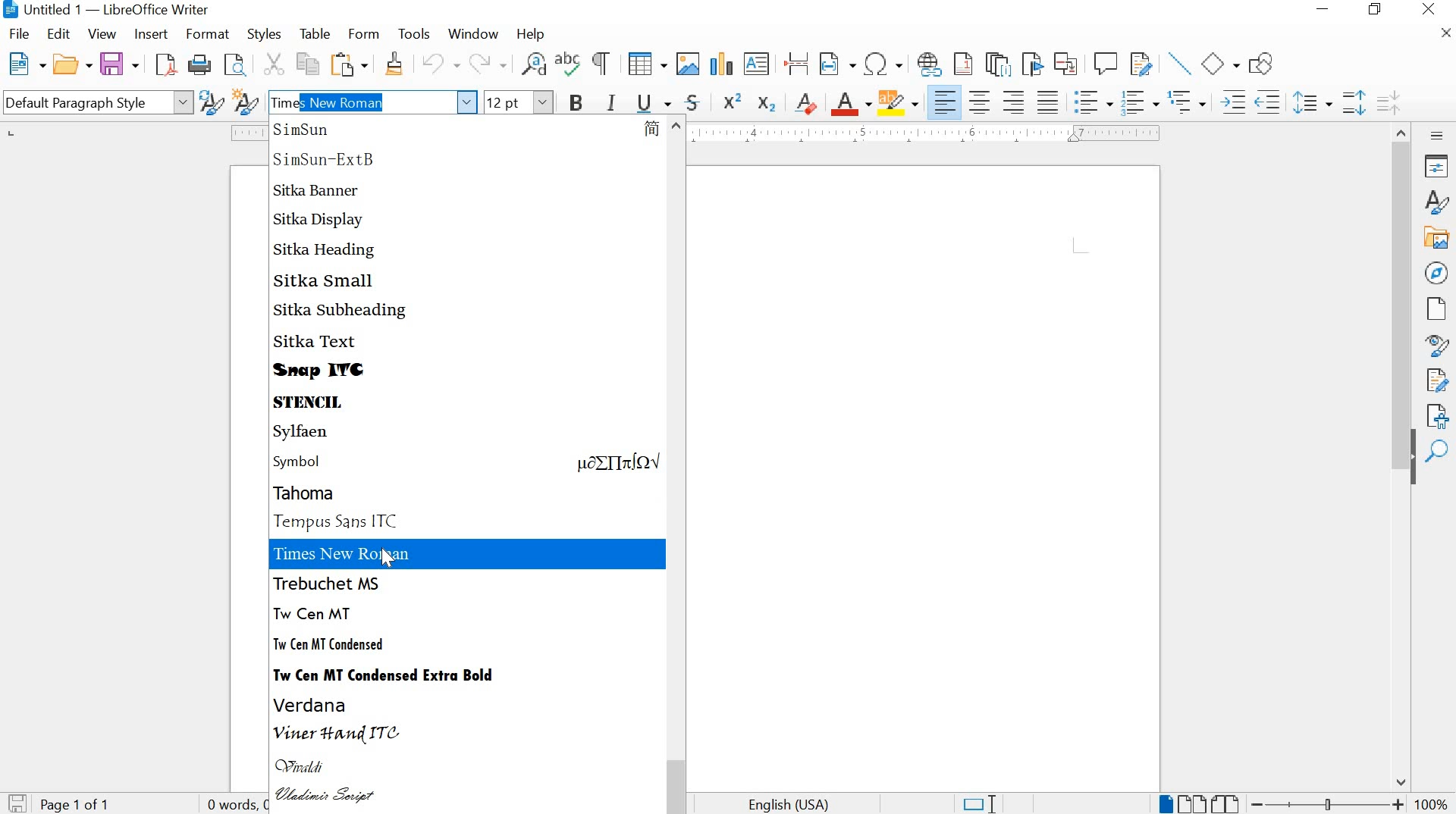 This screenshot has width=1456, height=814. Describe the element at coordinates (1438, 167) in the screenshot. I see `PROPERTIES` at that location.